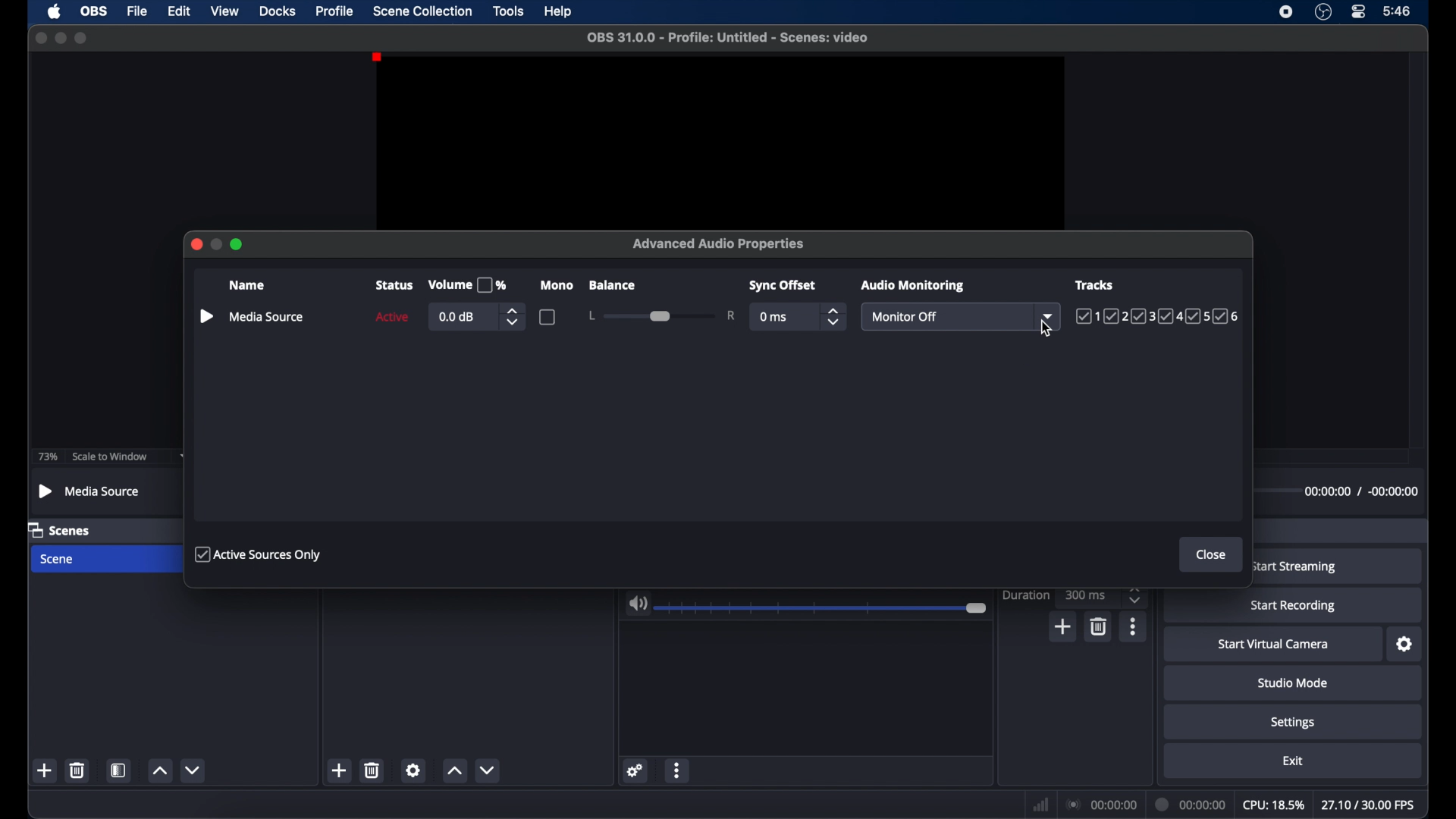  What do you see at coordinates (394, 285) in the screenshot?
I see `status` at bounding box center [394, 285].